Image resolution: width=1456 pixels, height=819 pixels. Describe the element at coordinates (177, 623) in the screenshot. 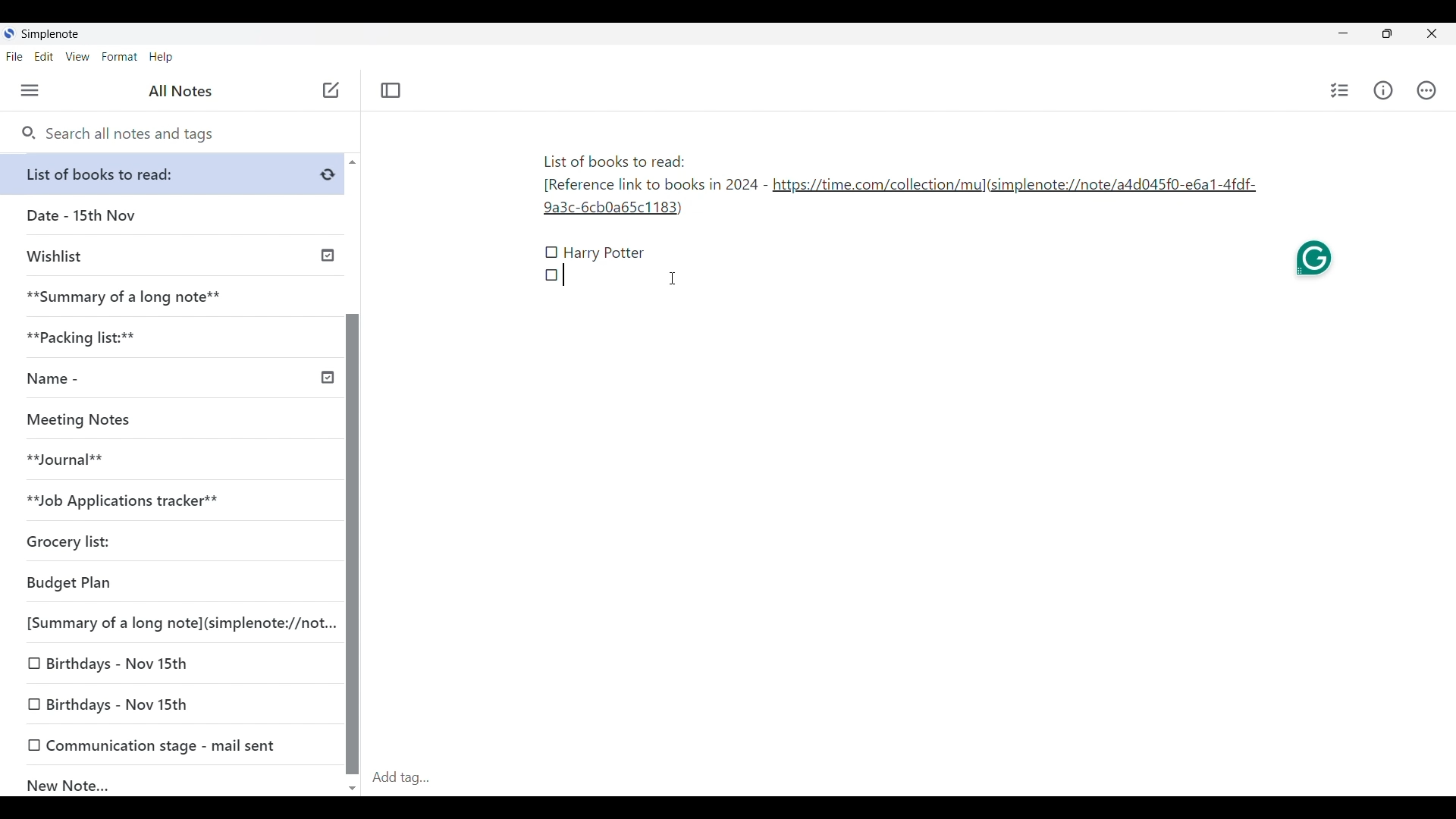

I see `[Summary of a long note](simplenote://not...` at that location.